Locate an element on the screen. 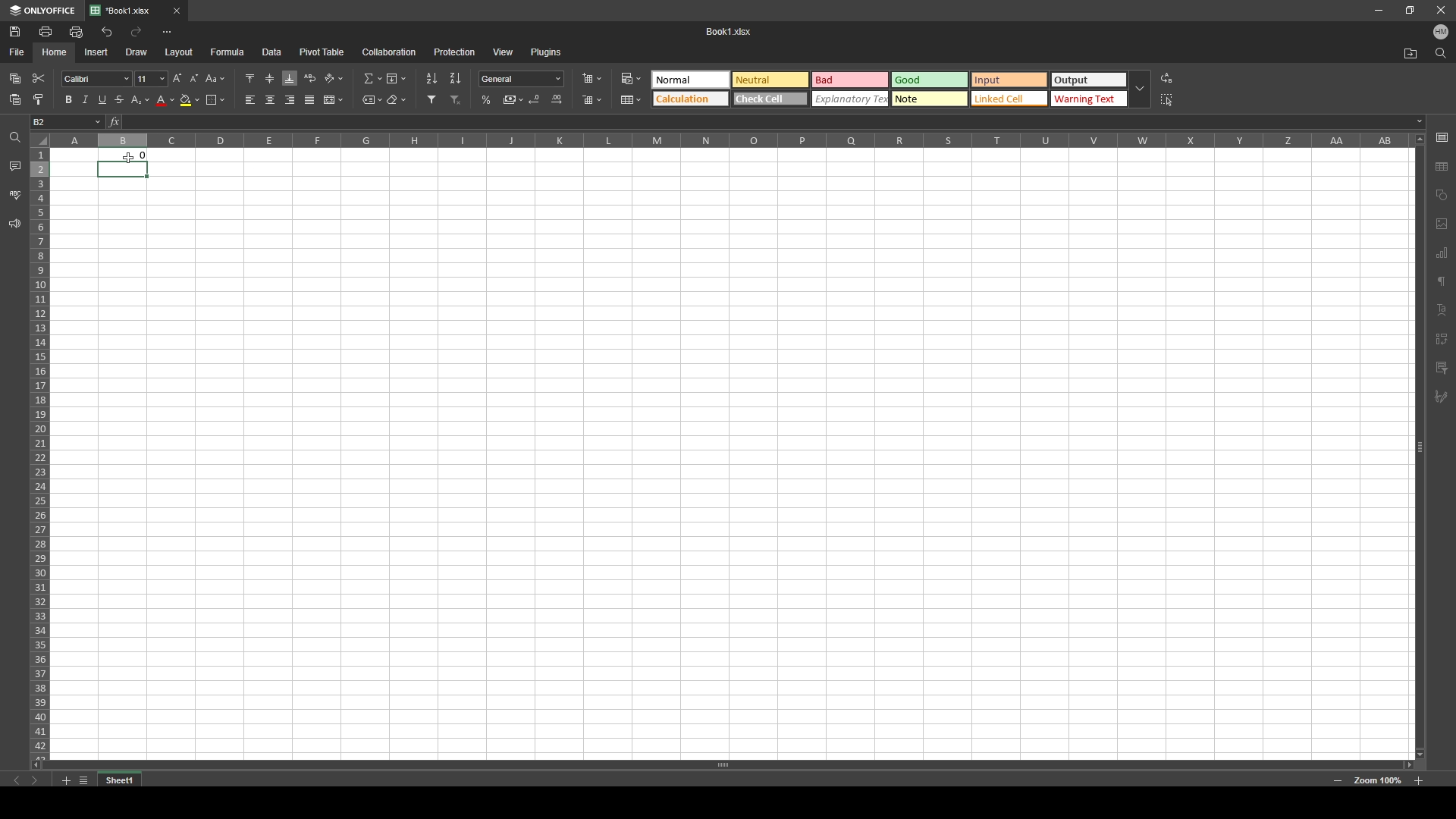  scroll bar is located at coordinates (729, 765).